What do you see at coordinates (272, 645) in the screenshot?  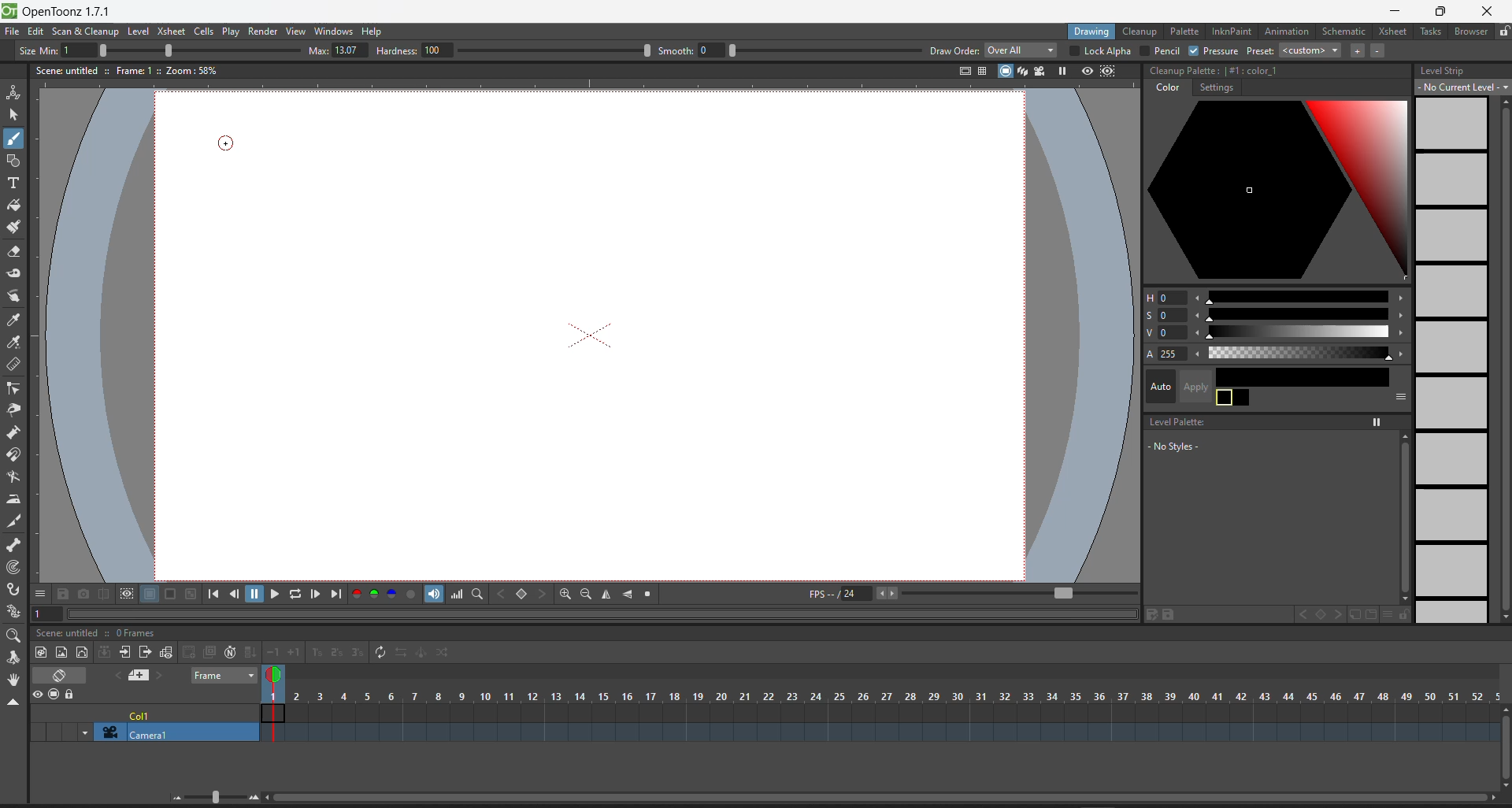 I see `decrease step` at bounding box center [272, 645].